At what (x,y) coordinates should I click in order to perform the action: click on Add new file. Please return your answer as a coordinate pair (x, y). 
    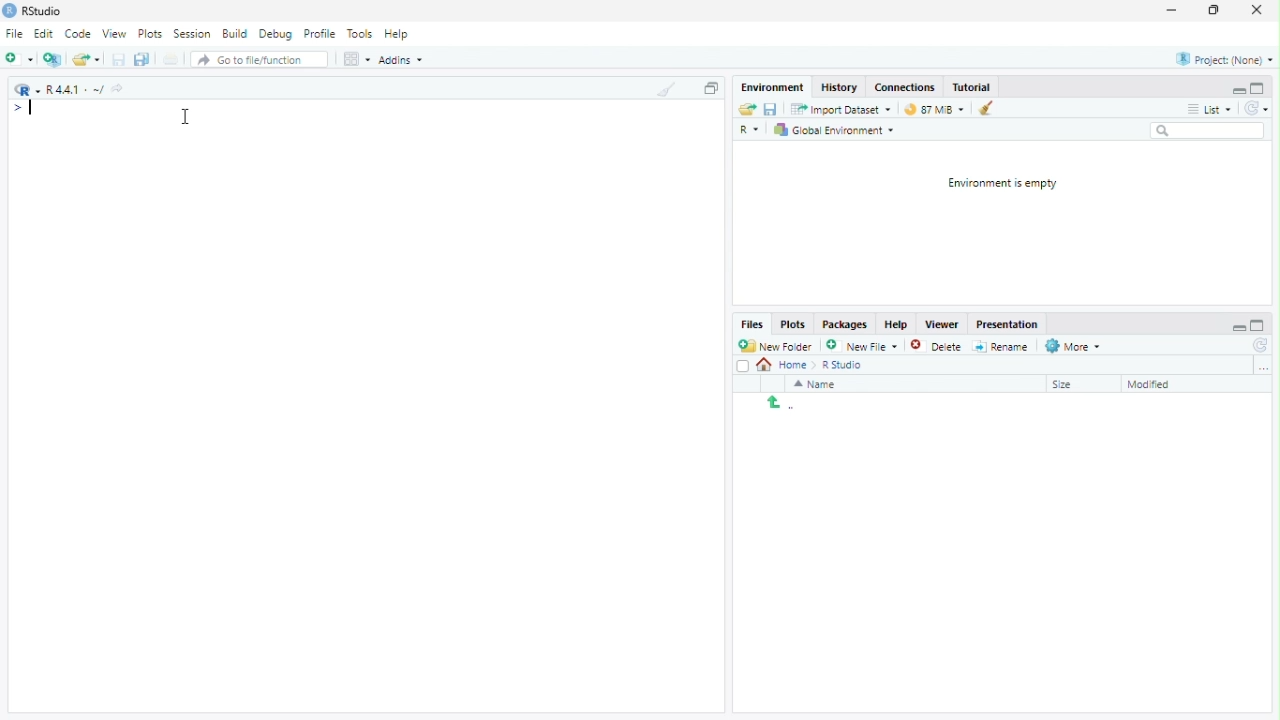
    Looking at the image, I should click on (18, 57).